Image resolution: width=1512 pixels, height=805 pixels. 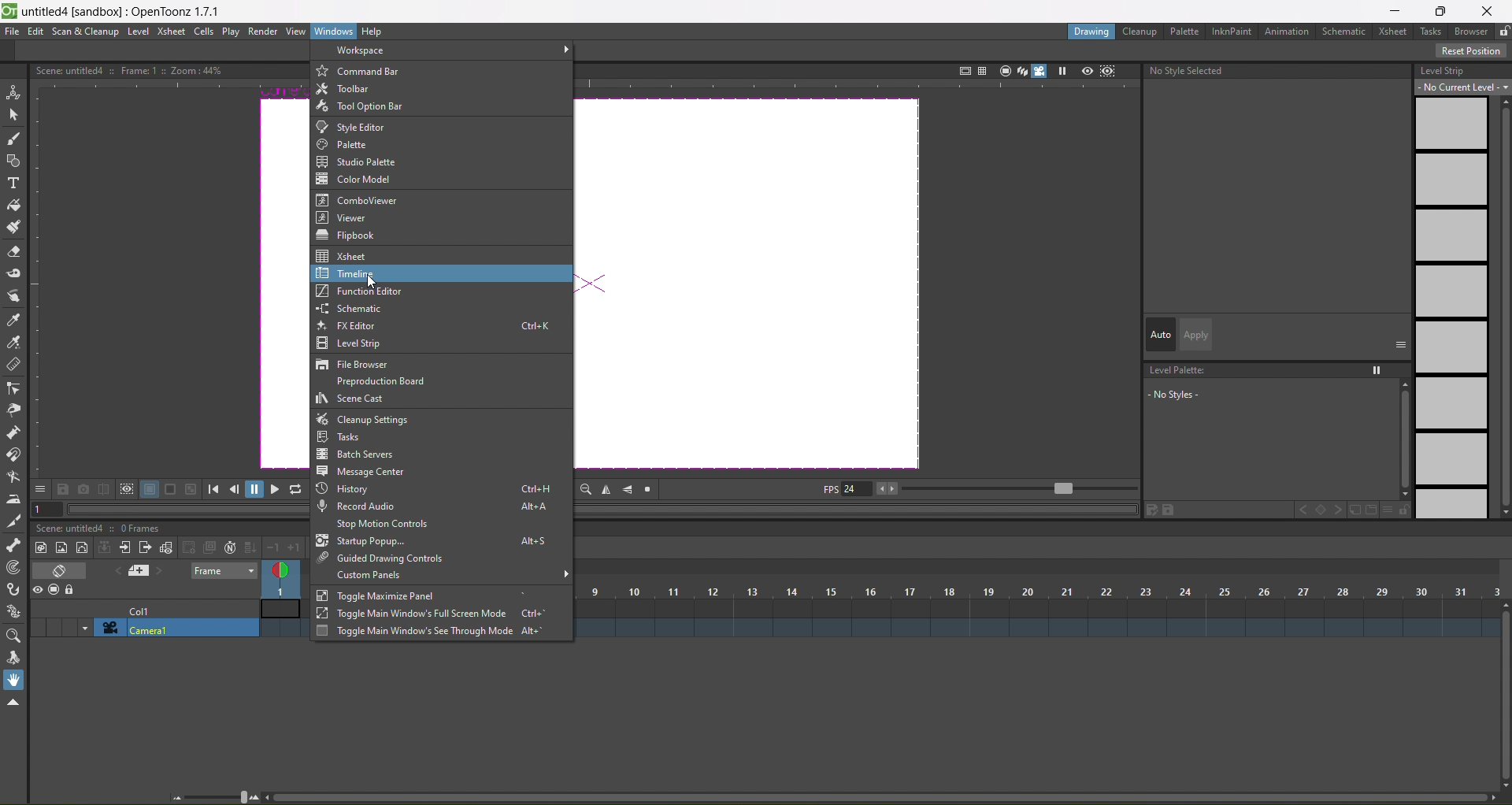 I want to click on camera view, so click(x=1031, y=71).